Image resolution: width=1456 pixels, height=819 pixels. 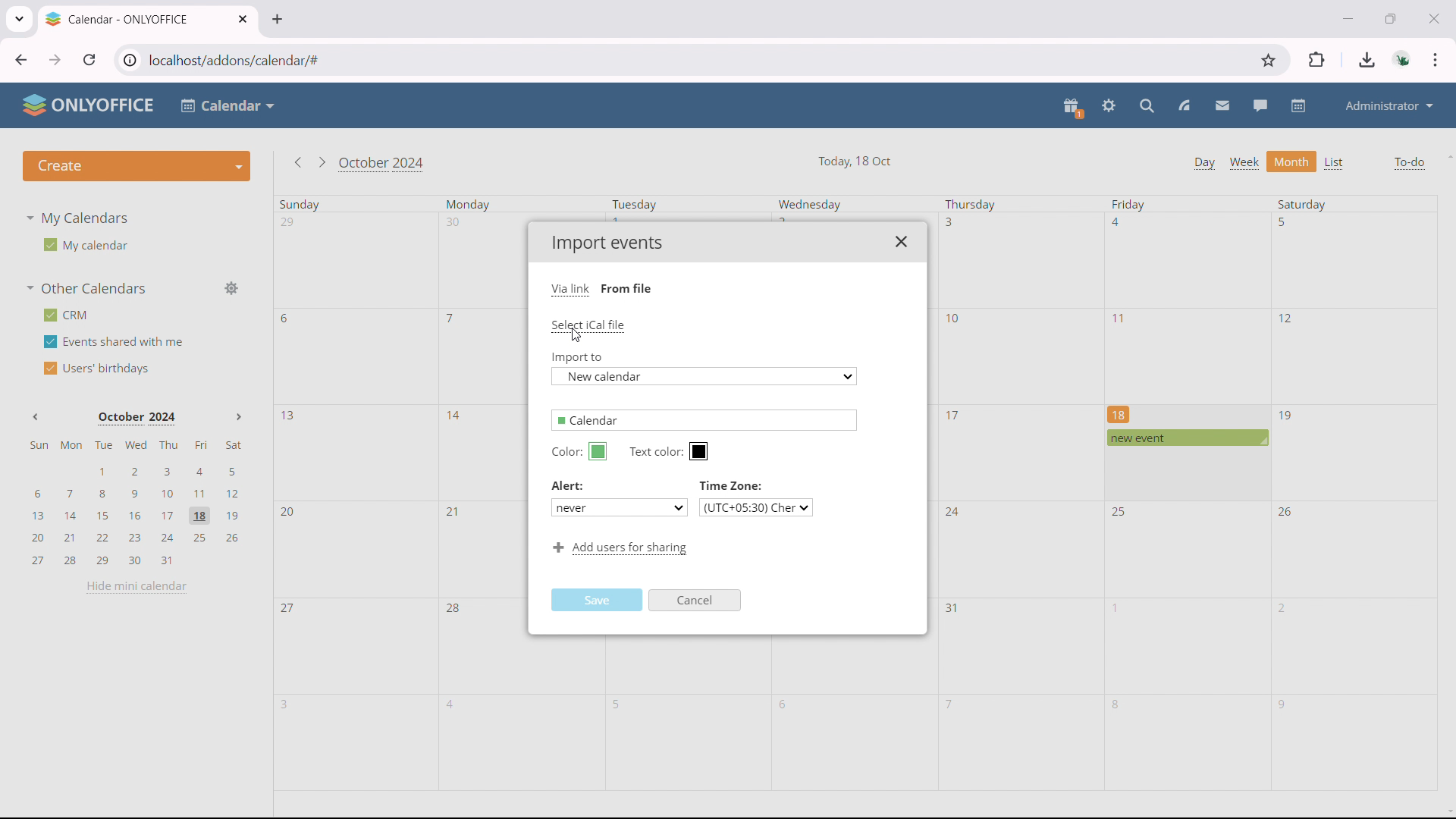 I want to click on Next month, so click(x=238, y=417).